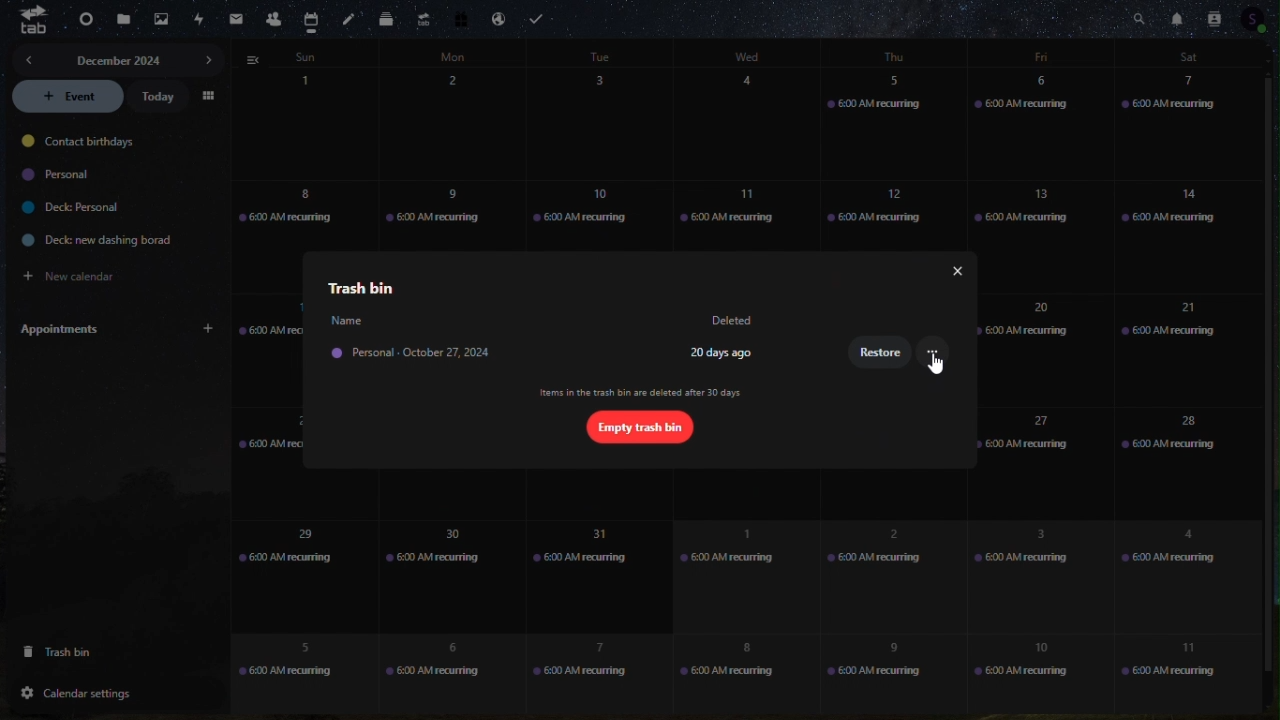  Describe the element at coordinates (1173, 17) in the screenshot. I see `notifications` at that location.